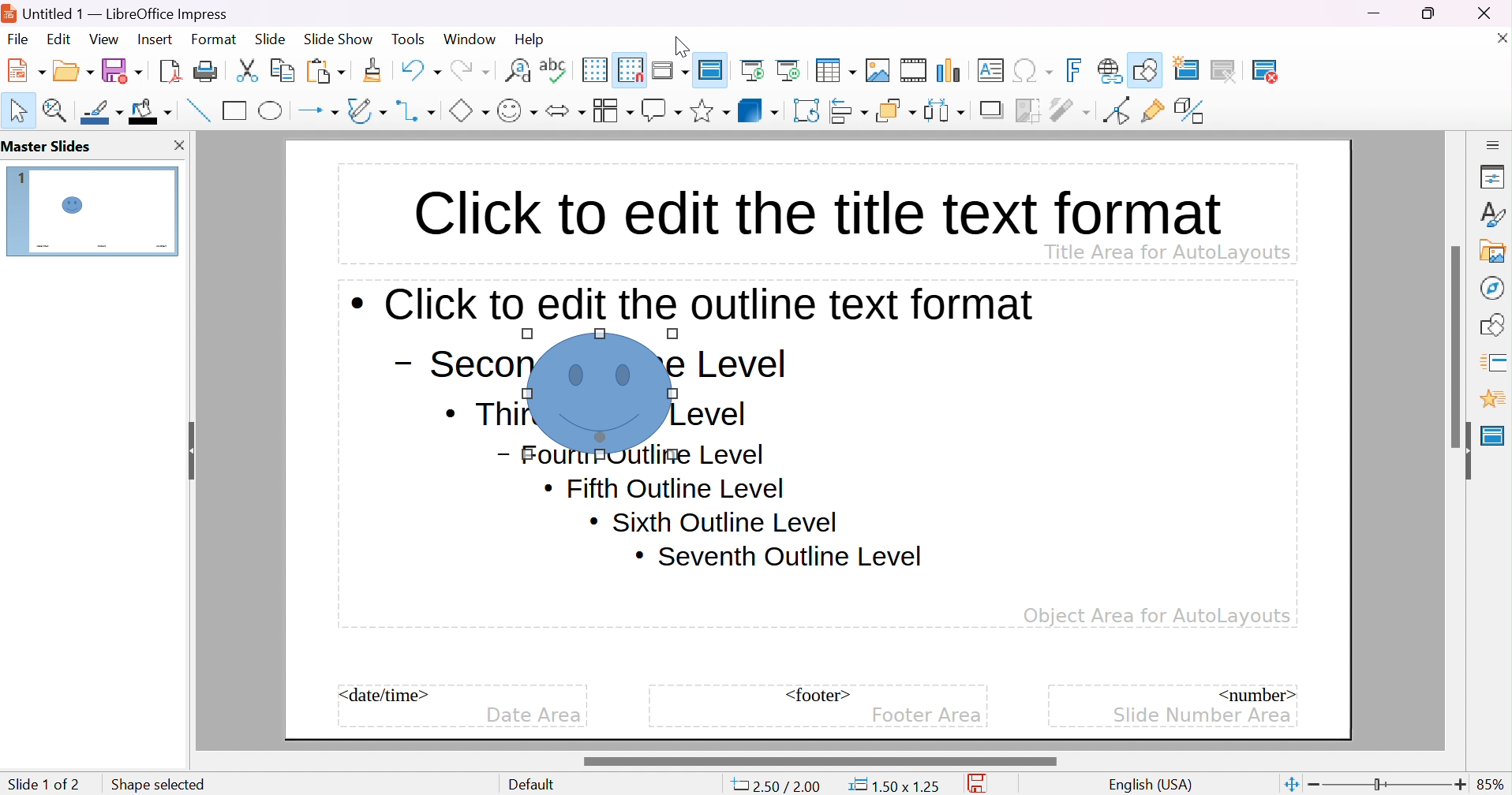 Image resolution: width=1512 pixels, height=795 pixels. What do you see at coordinates (272, 110) in the screenshot?
I see `ellipse` at bounding box center [272, 110].